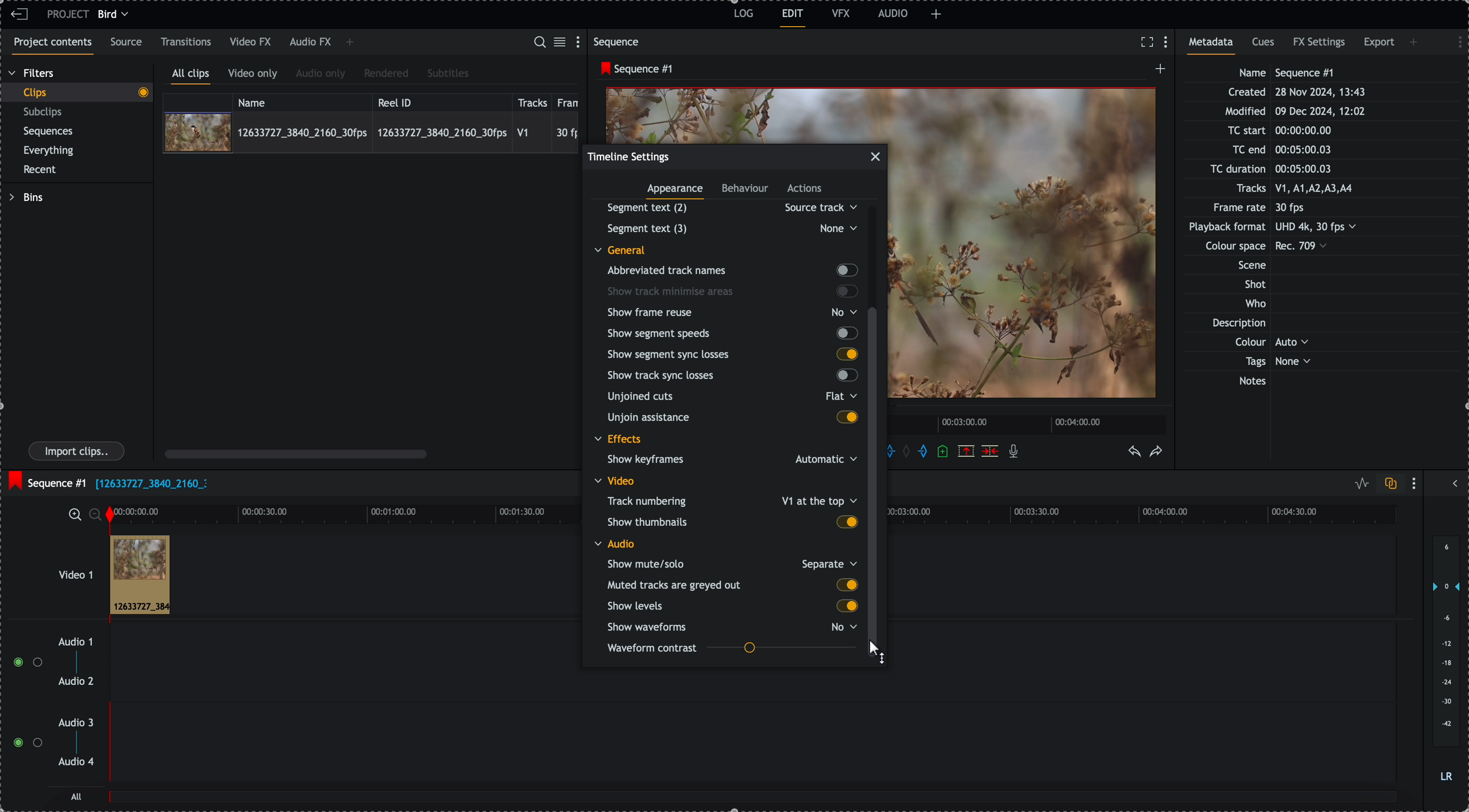 This screenshot has width=1469, height=812. I want to click on video FX, so click(251, 42).